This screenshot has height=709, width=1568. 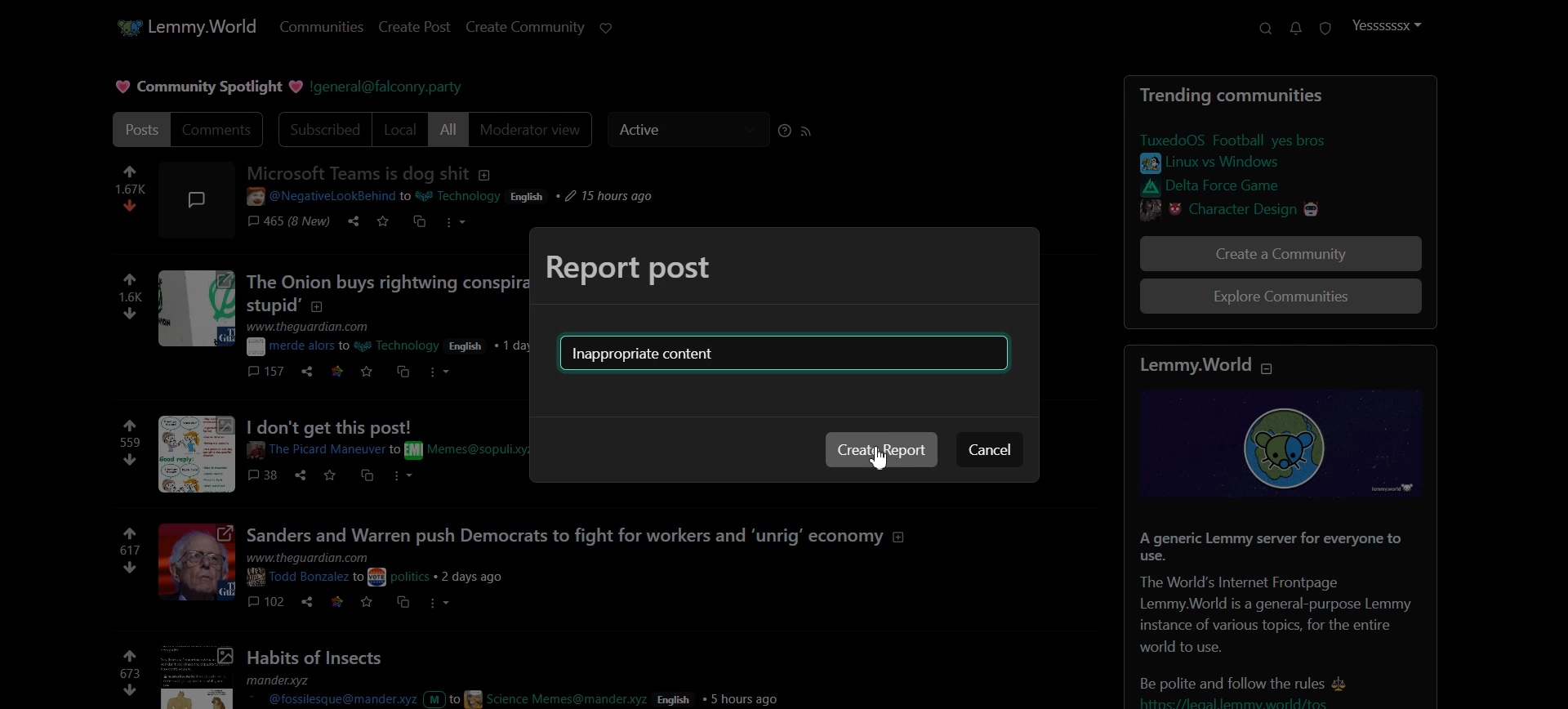 I want to click on comments, so click(x=268, y=372).